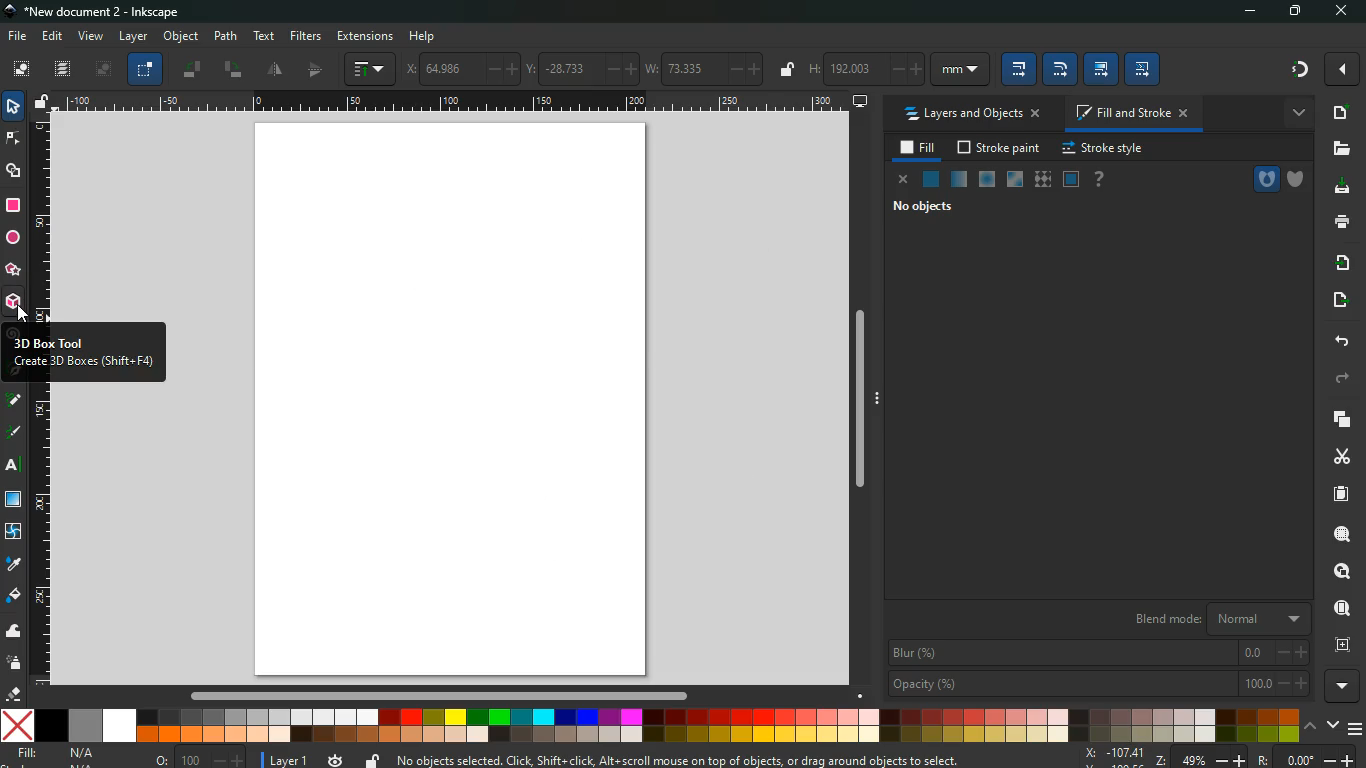 The width and height of the screenshot is (1366, 768). I want to click on more, so click(1342, 69).